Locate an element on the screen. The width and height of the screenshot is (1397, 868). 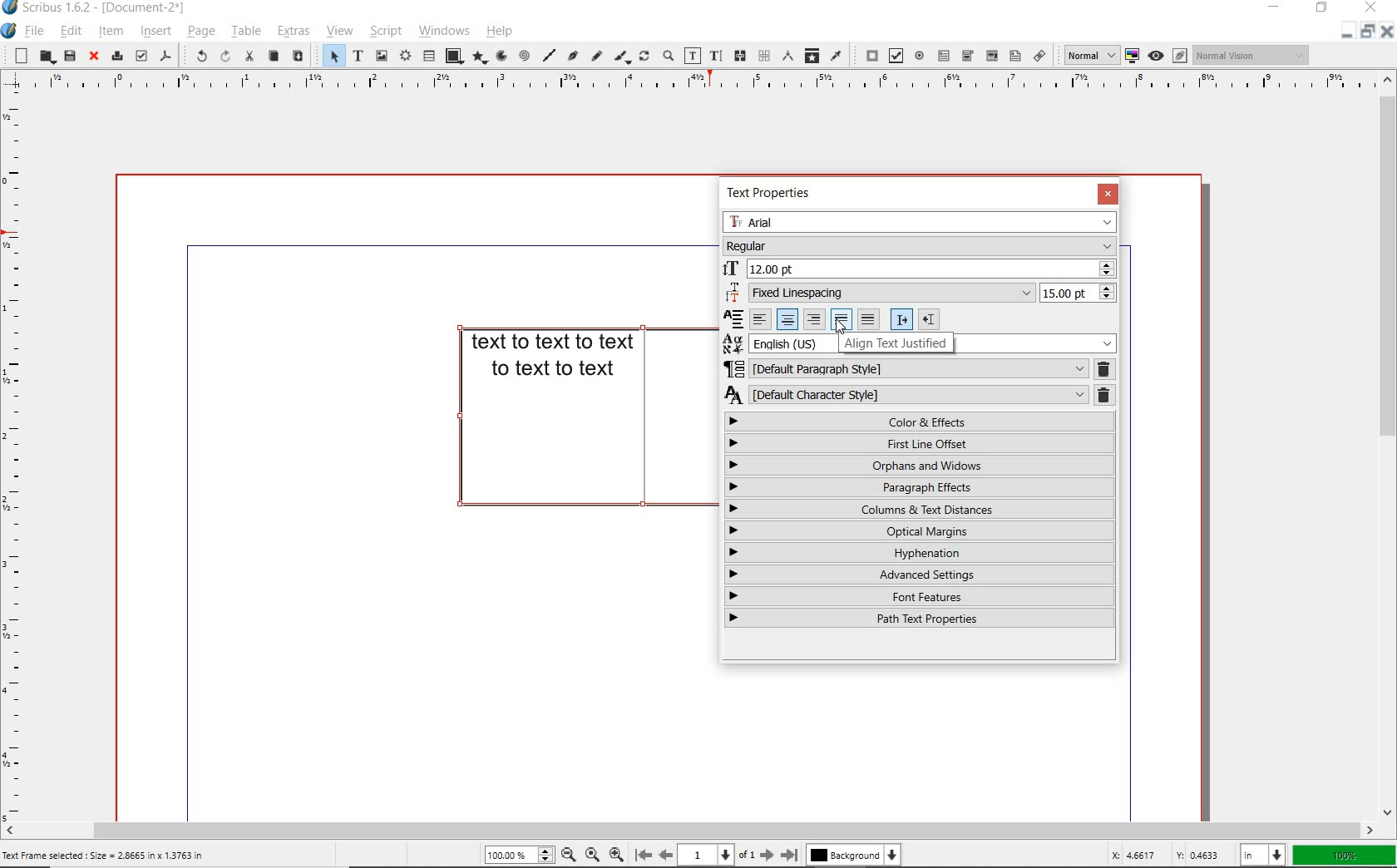
Bezier curve is located at coordinates (573, 55).